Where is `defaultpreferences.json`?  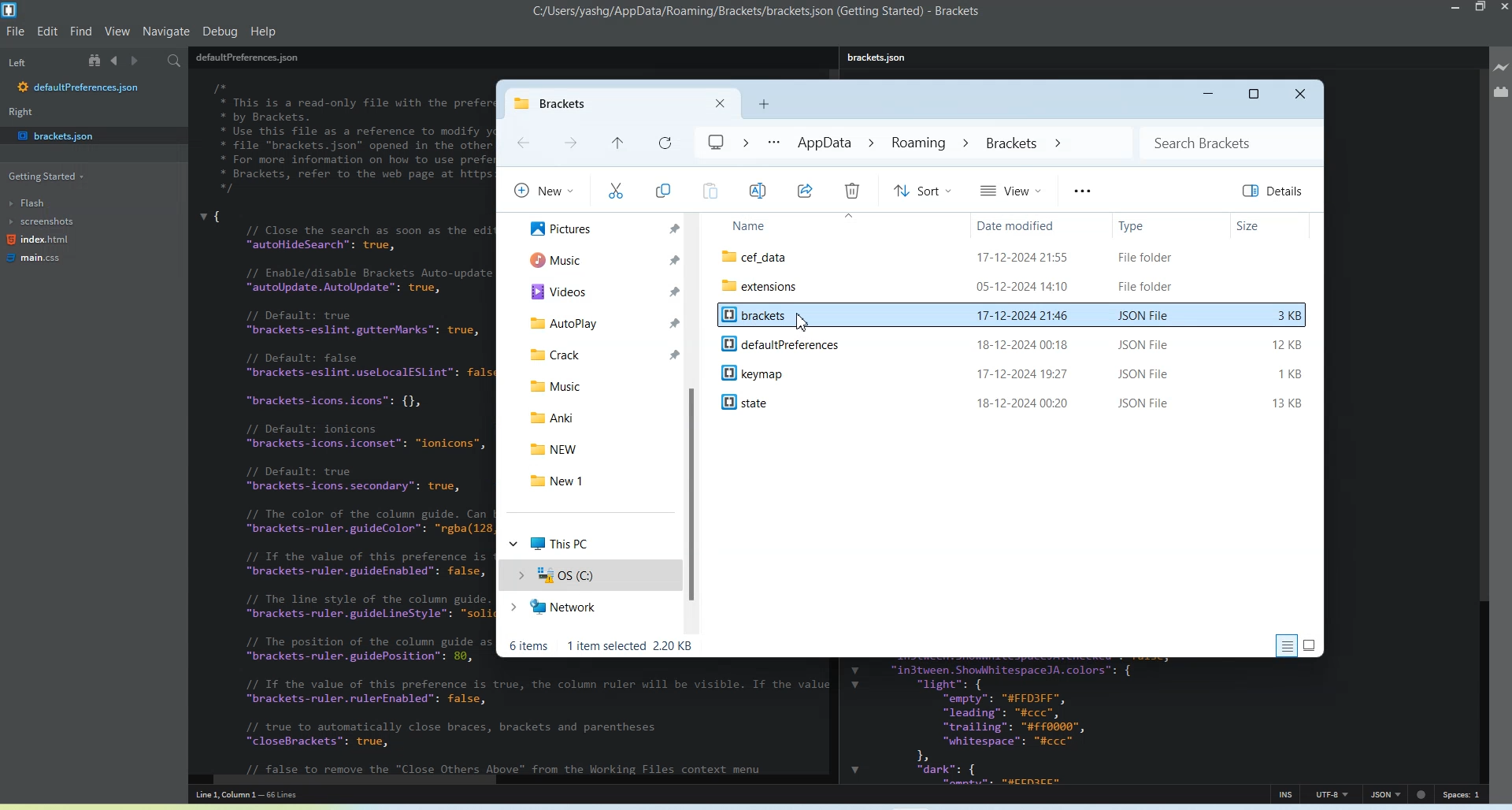
defaultpreferences.json is located at coordinates (80, 88).